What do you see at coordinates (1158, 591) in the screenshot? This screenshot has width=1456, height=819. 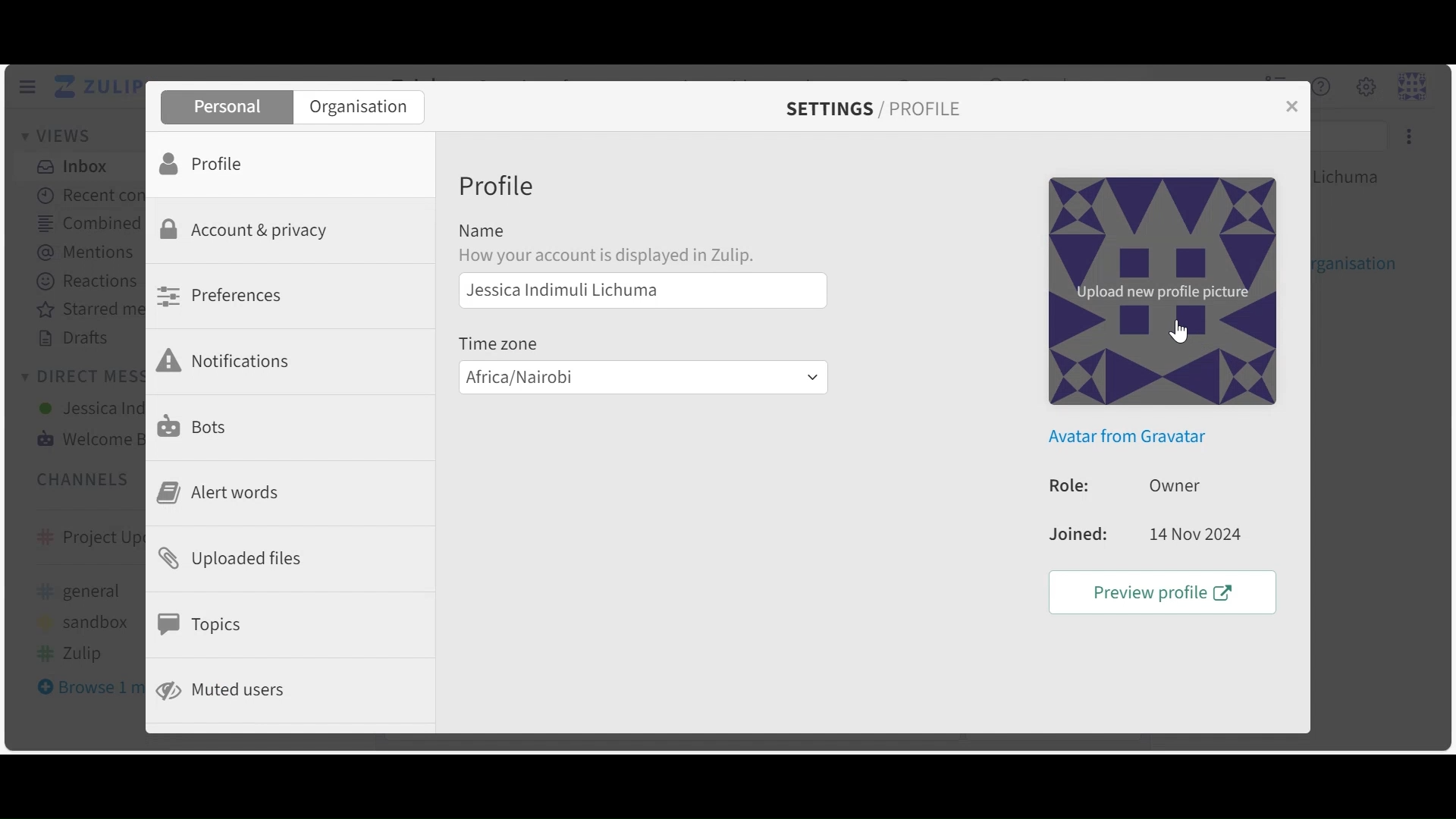 I see `Preview Profile` at bounding box center [1158, 591].